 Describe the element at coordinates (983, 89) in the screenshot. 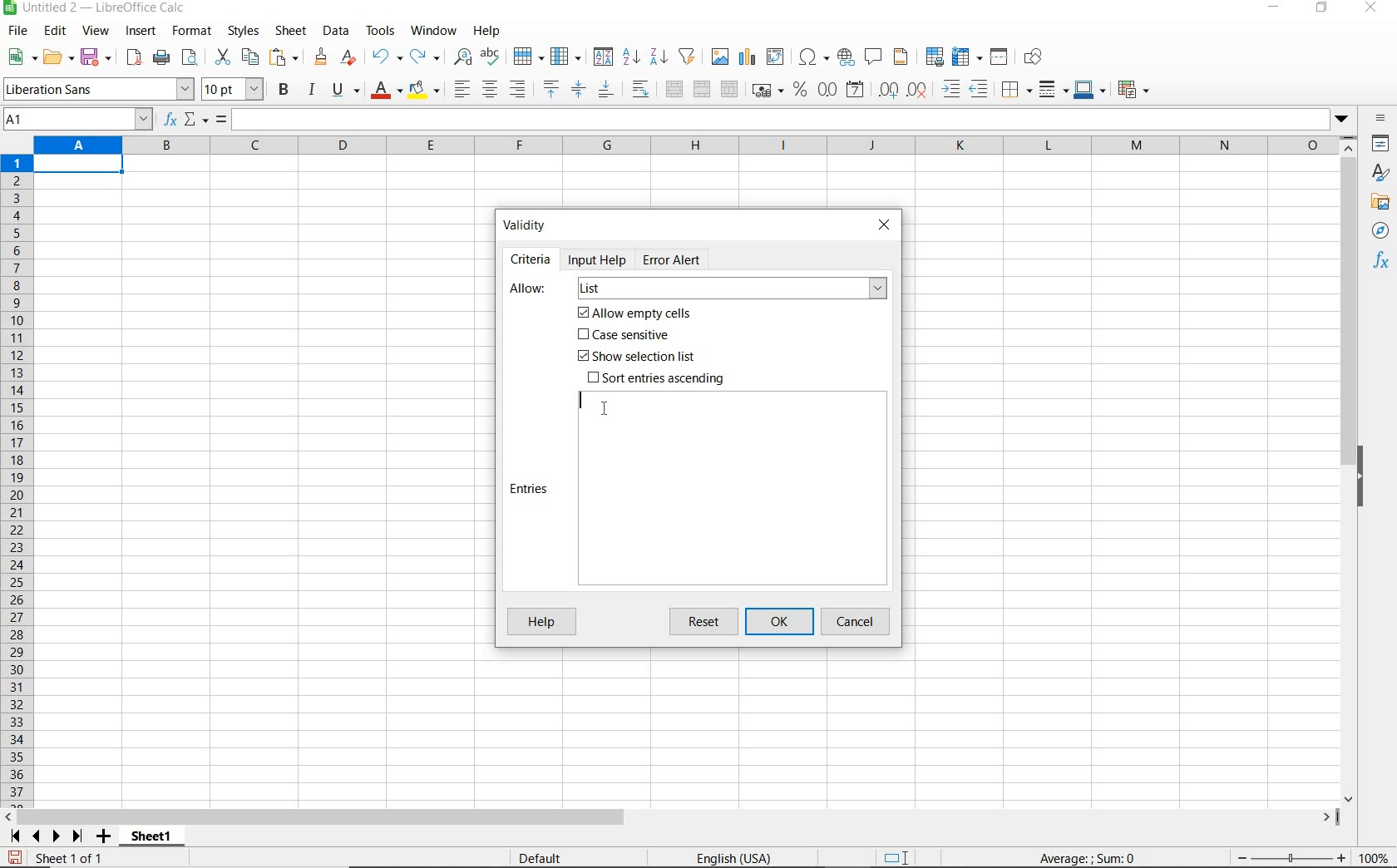

I see `decrease indent` at that location.